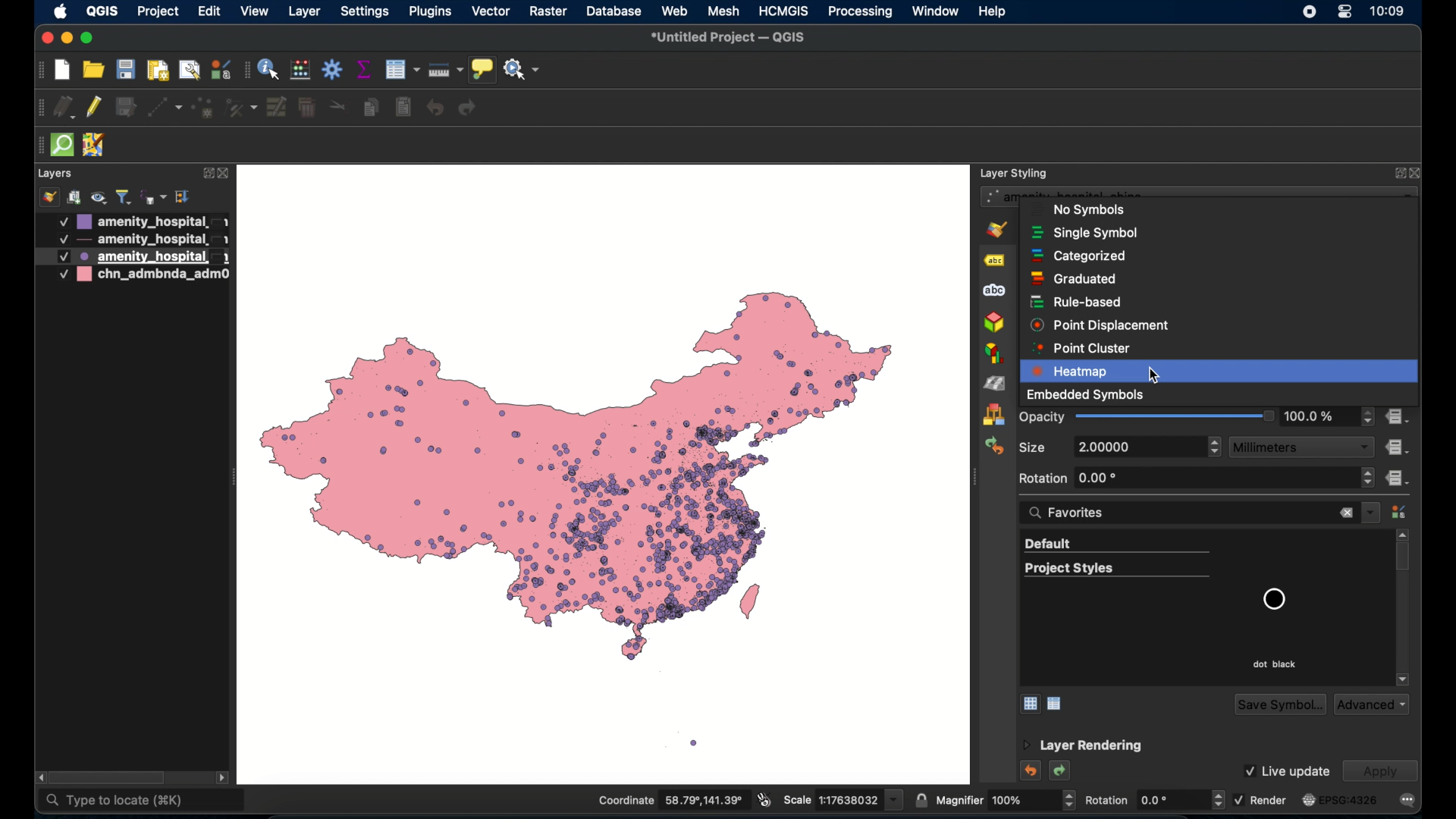  Describe the element at coordinates (935, 11) in the screenshot. I see `window` at that location.